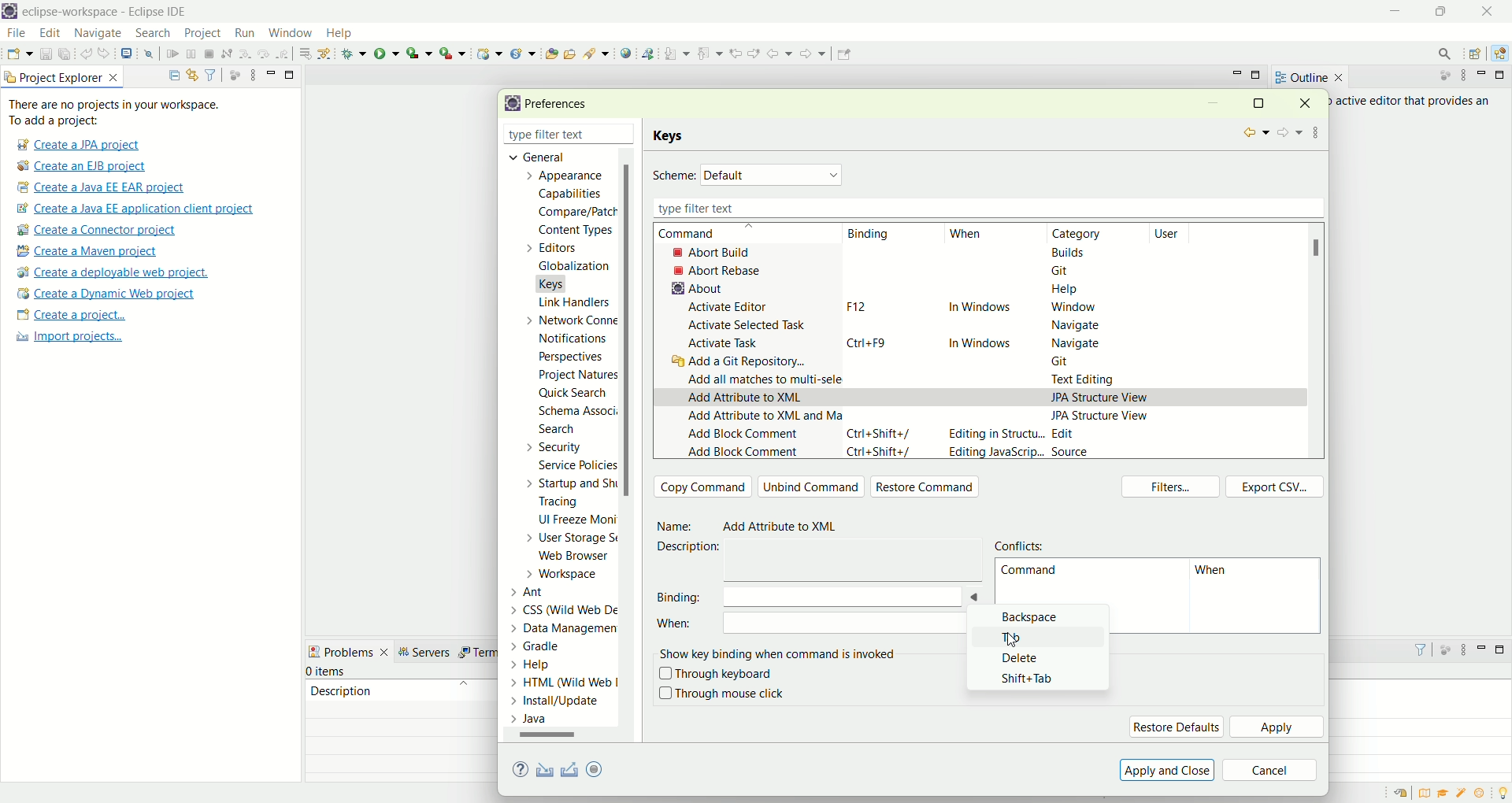  Describe the element at coordinates (573, 302) in the screenshot. I see `link handlers` at that location.